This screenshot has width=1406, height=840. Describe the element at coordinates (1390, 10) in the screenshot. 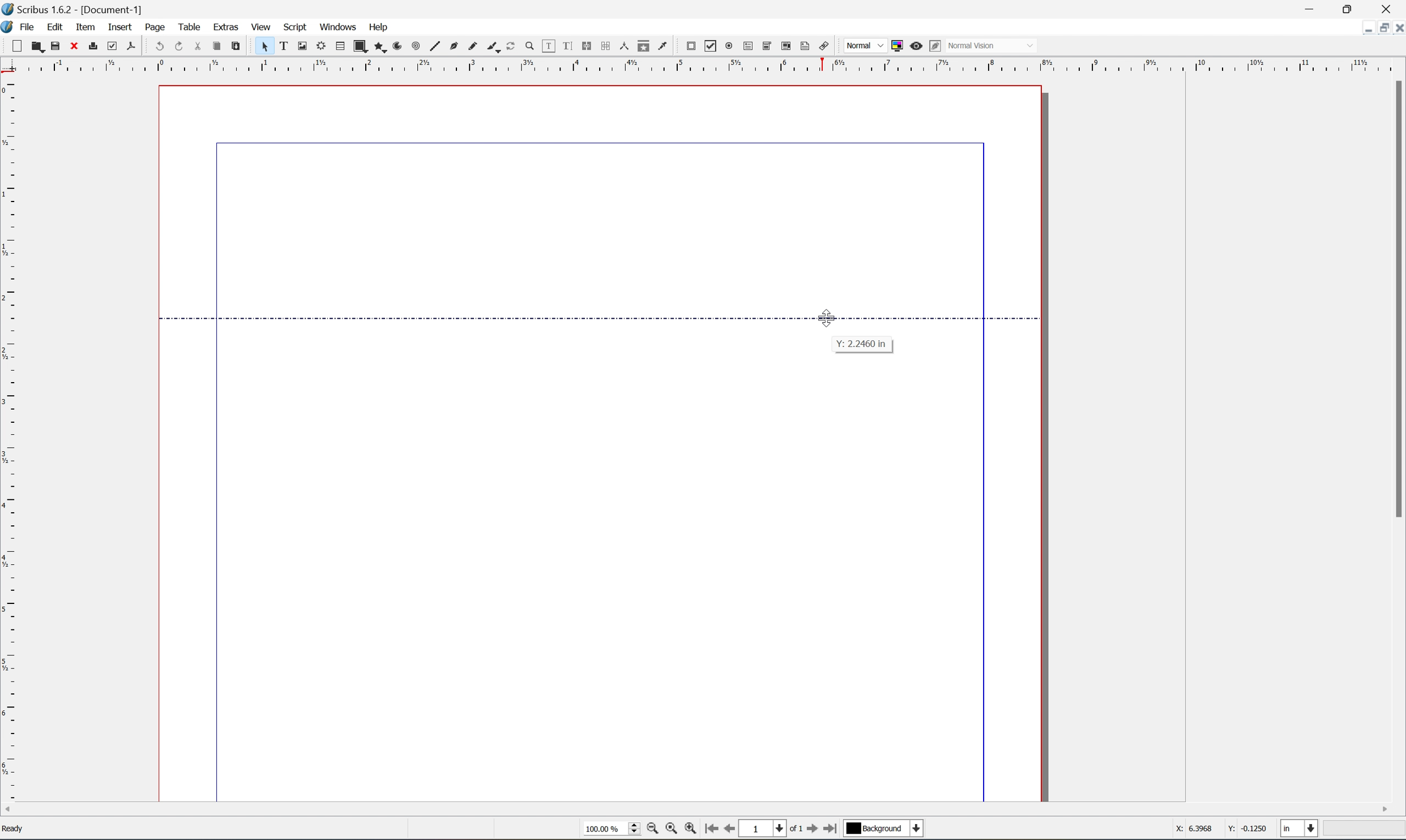

I see `close` at that location.